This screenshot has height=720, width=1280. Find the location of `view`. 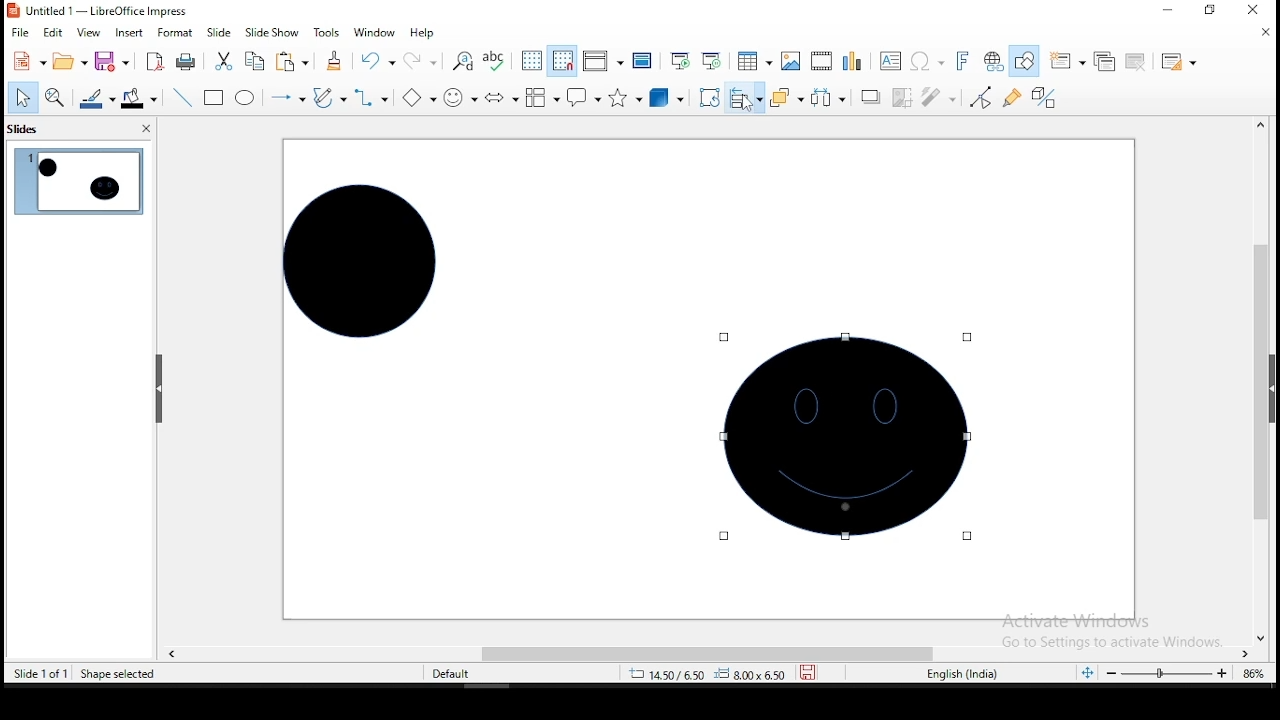

view is located at coordinates (89, 34).